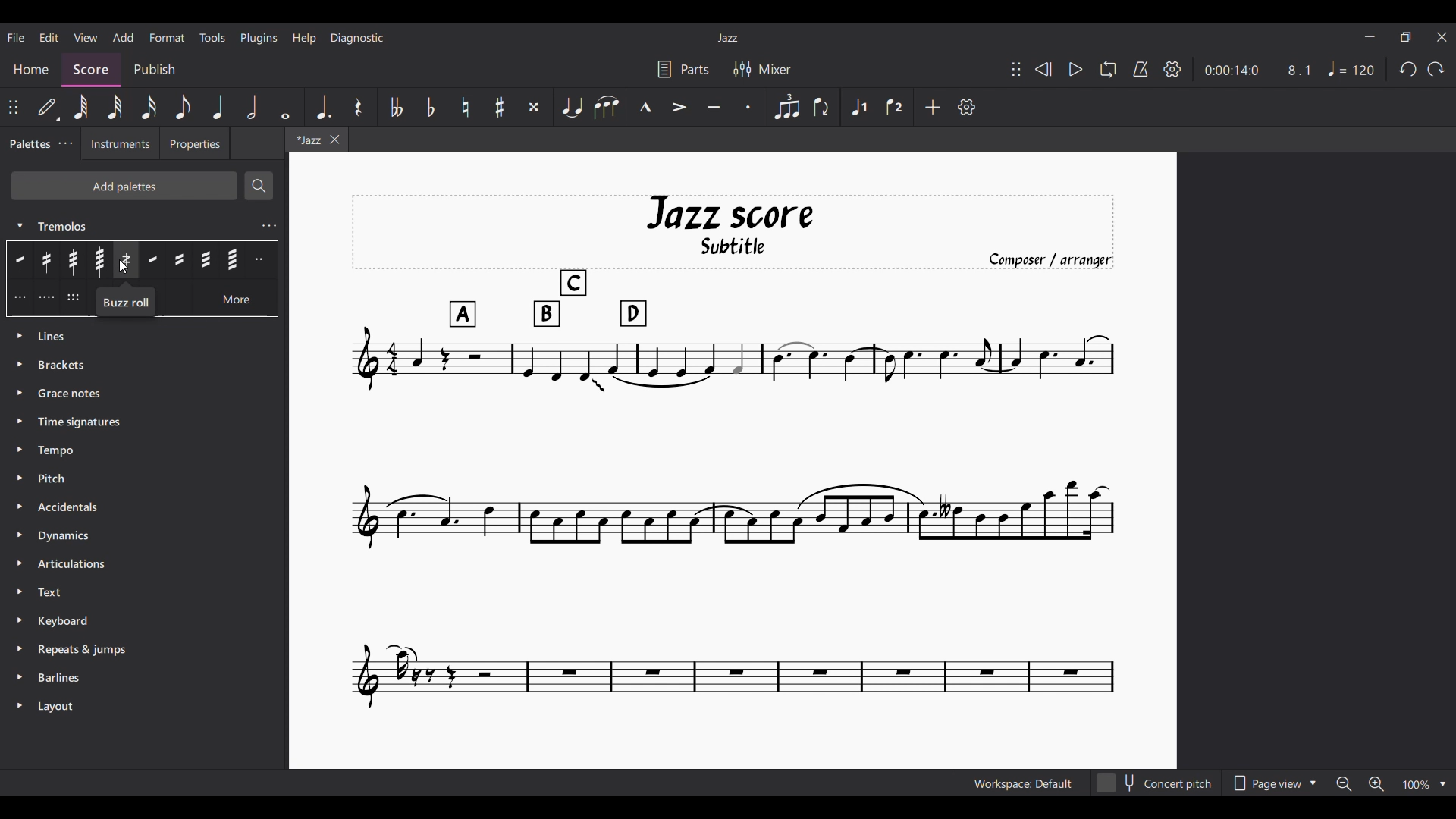  Describe the element at coordinates (179, 259) in the screenshot. I see `16th between notes` at that location.